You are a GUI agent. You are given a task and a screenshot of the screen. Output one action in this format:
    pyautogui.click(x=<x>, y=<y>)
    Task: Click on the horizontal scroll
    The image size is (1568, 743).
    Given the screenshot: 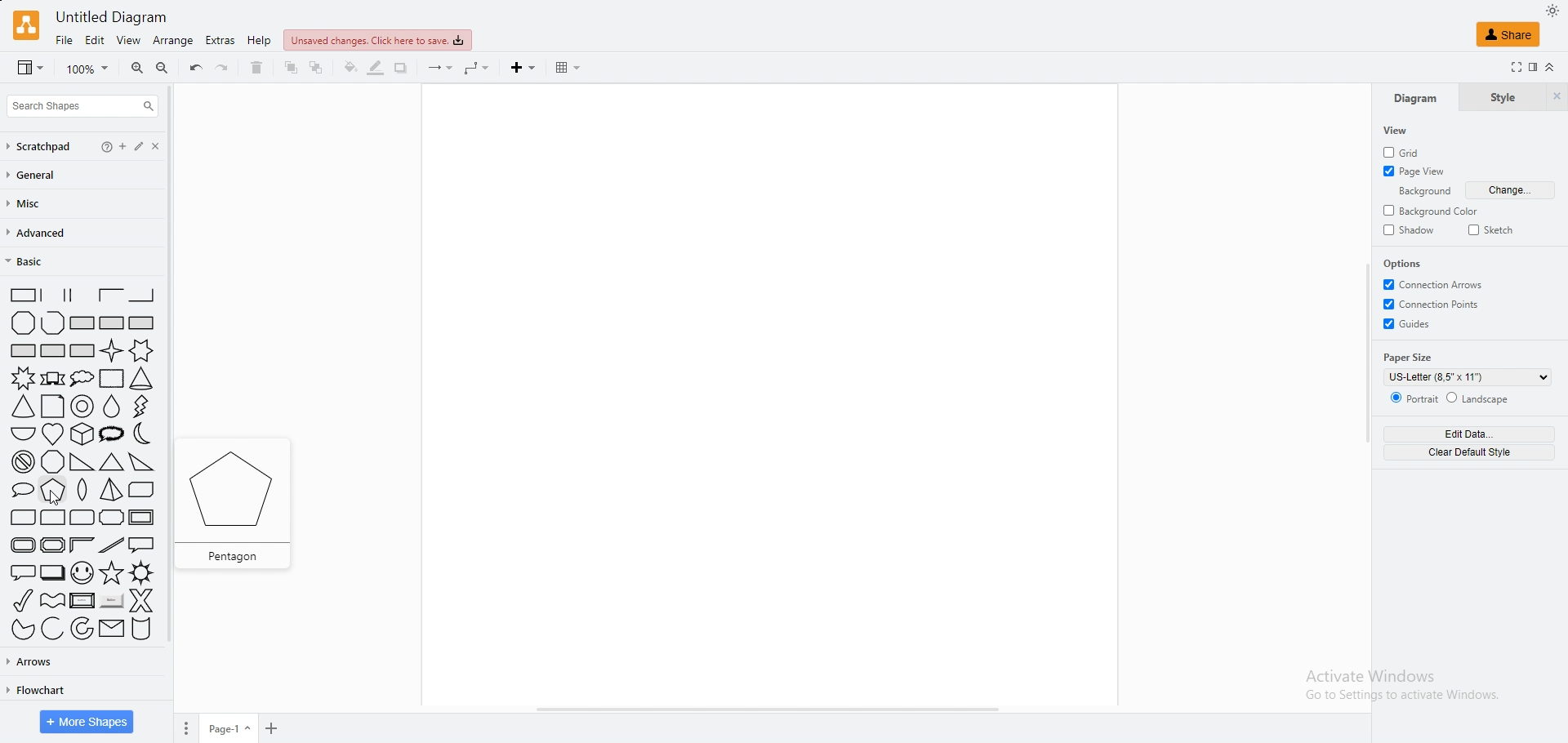 What is the action you would take?
    pyautogui.click(x=768, y=710)
    